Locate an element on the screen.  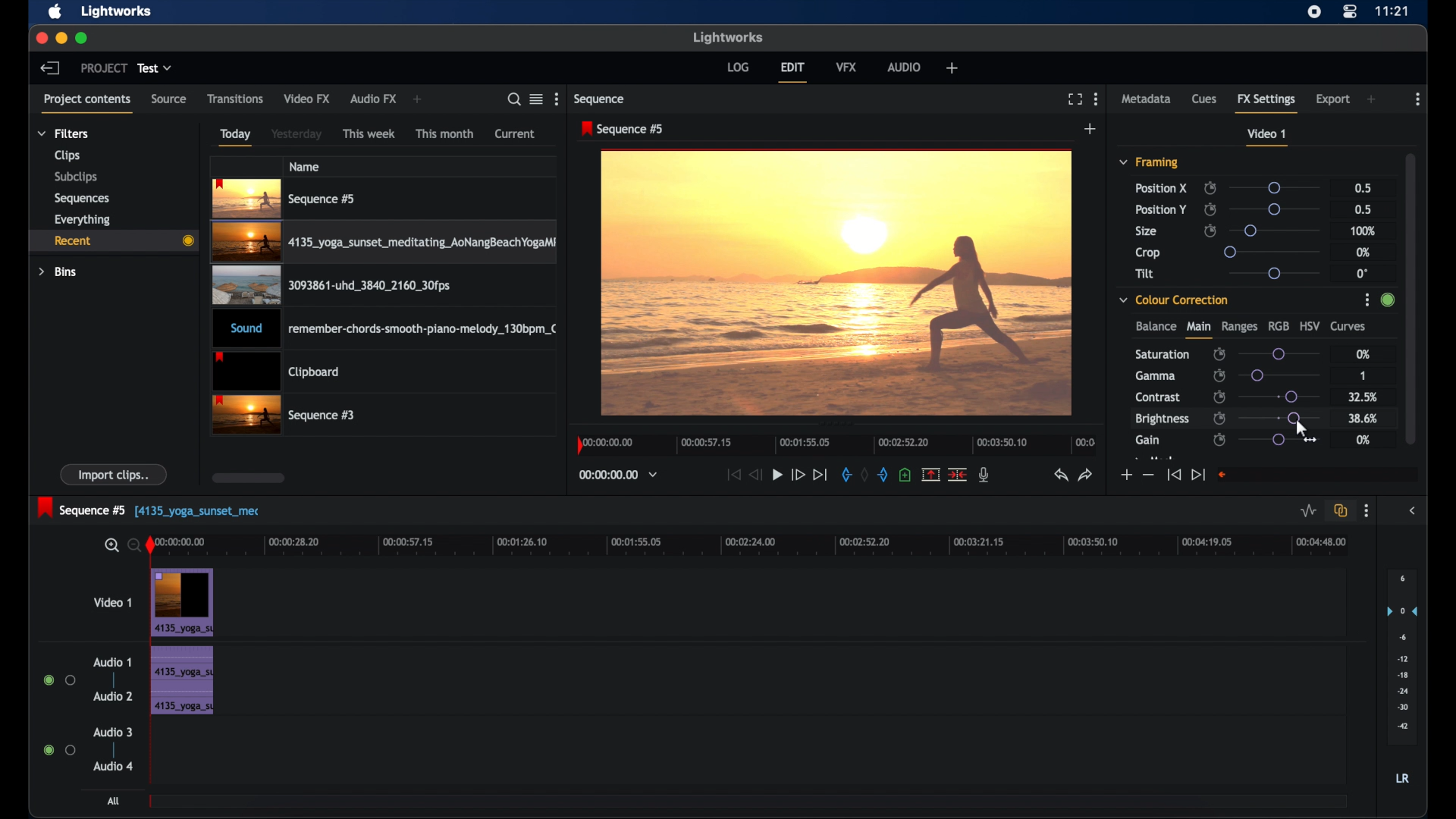
100% is located at coordinates (1363, 232).